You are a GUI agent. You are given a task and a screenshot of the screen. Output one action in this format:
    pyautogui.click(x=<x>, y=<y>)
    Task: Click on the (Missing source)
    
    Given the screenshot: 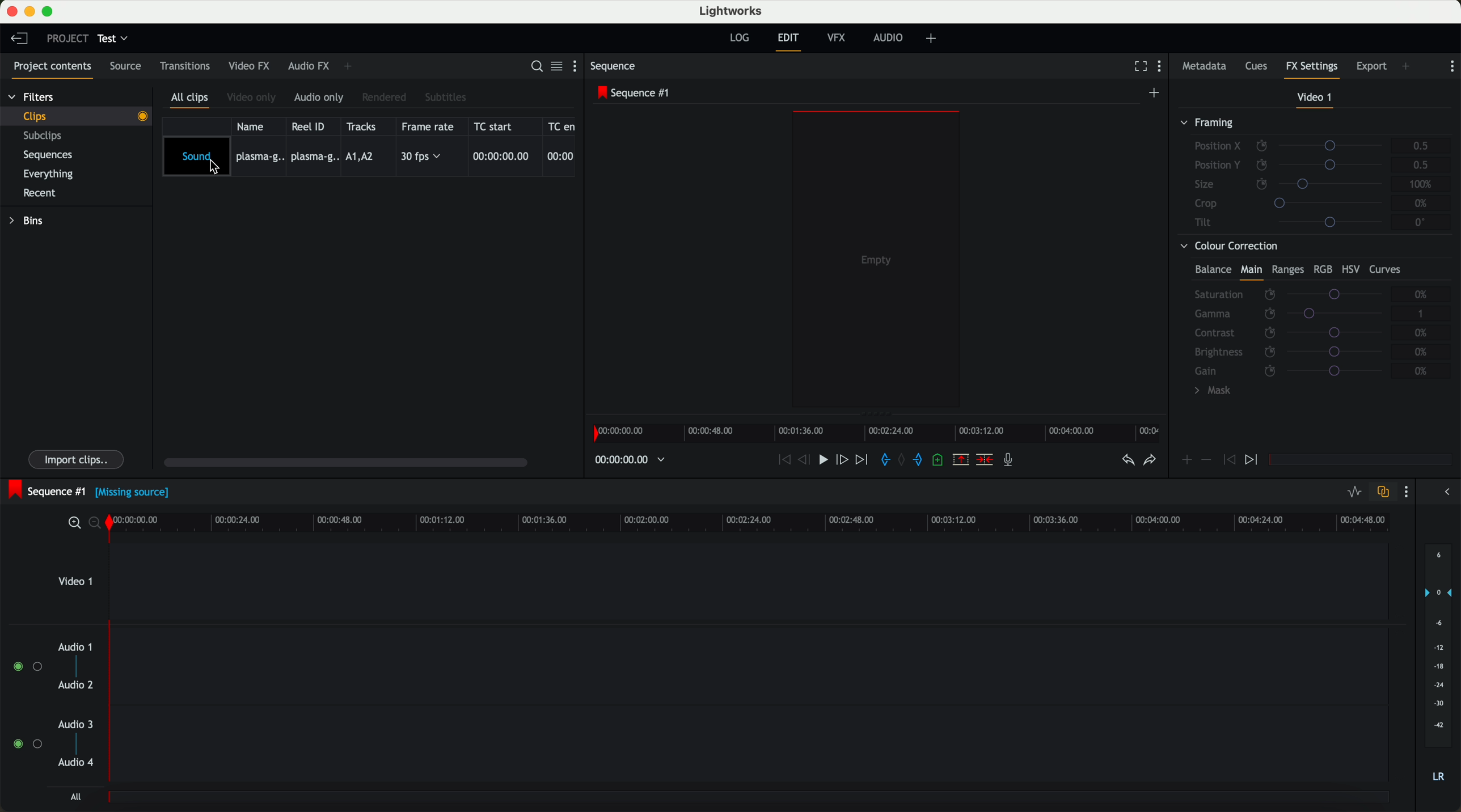 What is the action you would take?
    pyautogui.click(x=135, y=494)
    